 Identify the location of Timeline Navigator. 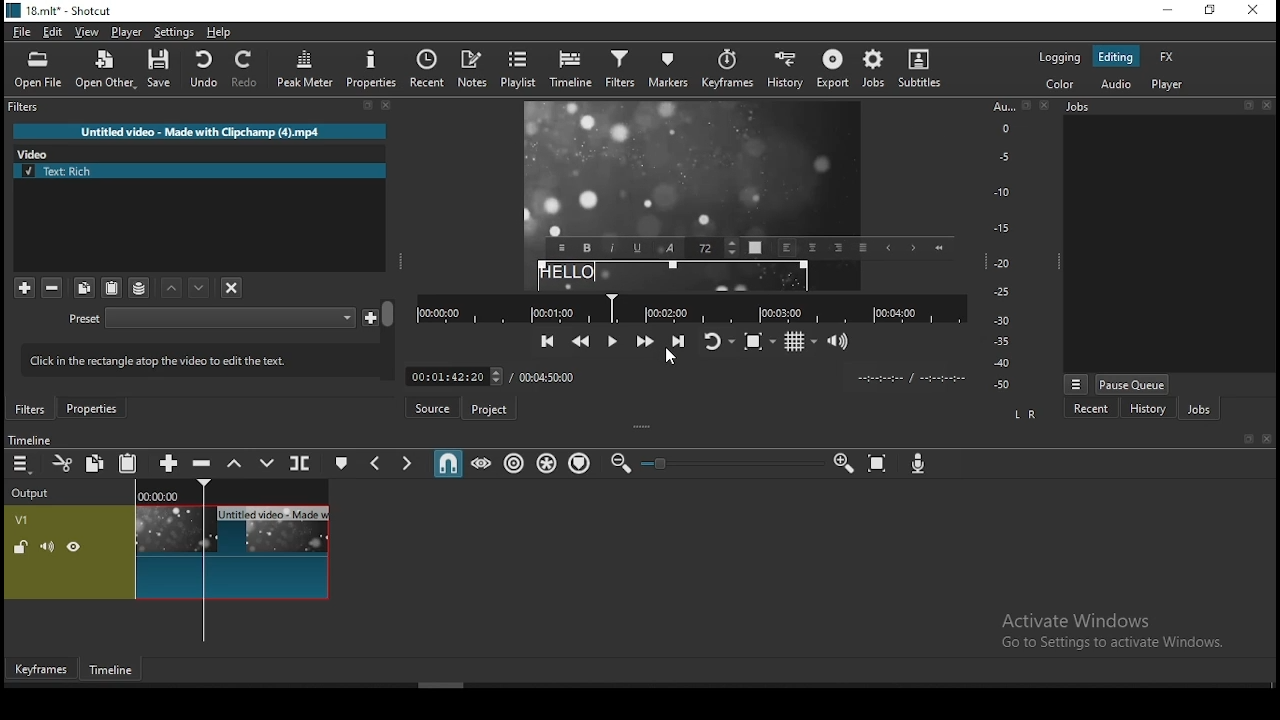
(691, 309).